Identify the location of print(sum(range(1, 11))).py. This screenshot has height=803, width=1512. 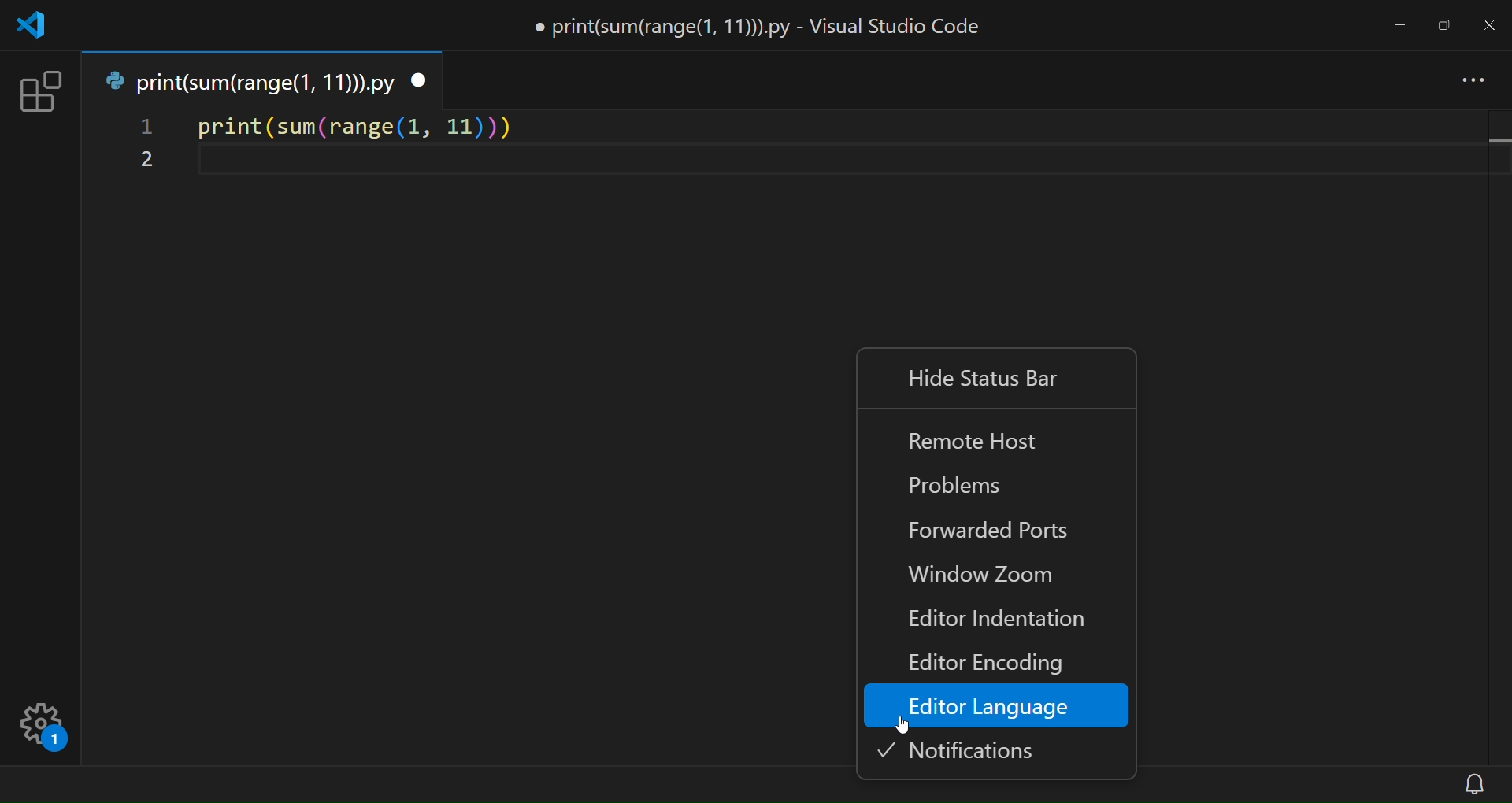
(247, 81).